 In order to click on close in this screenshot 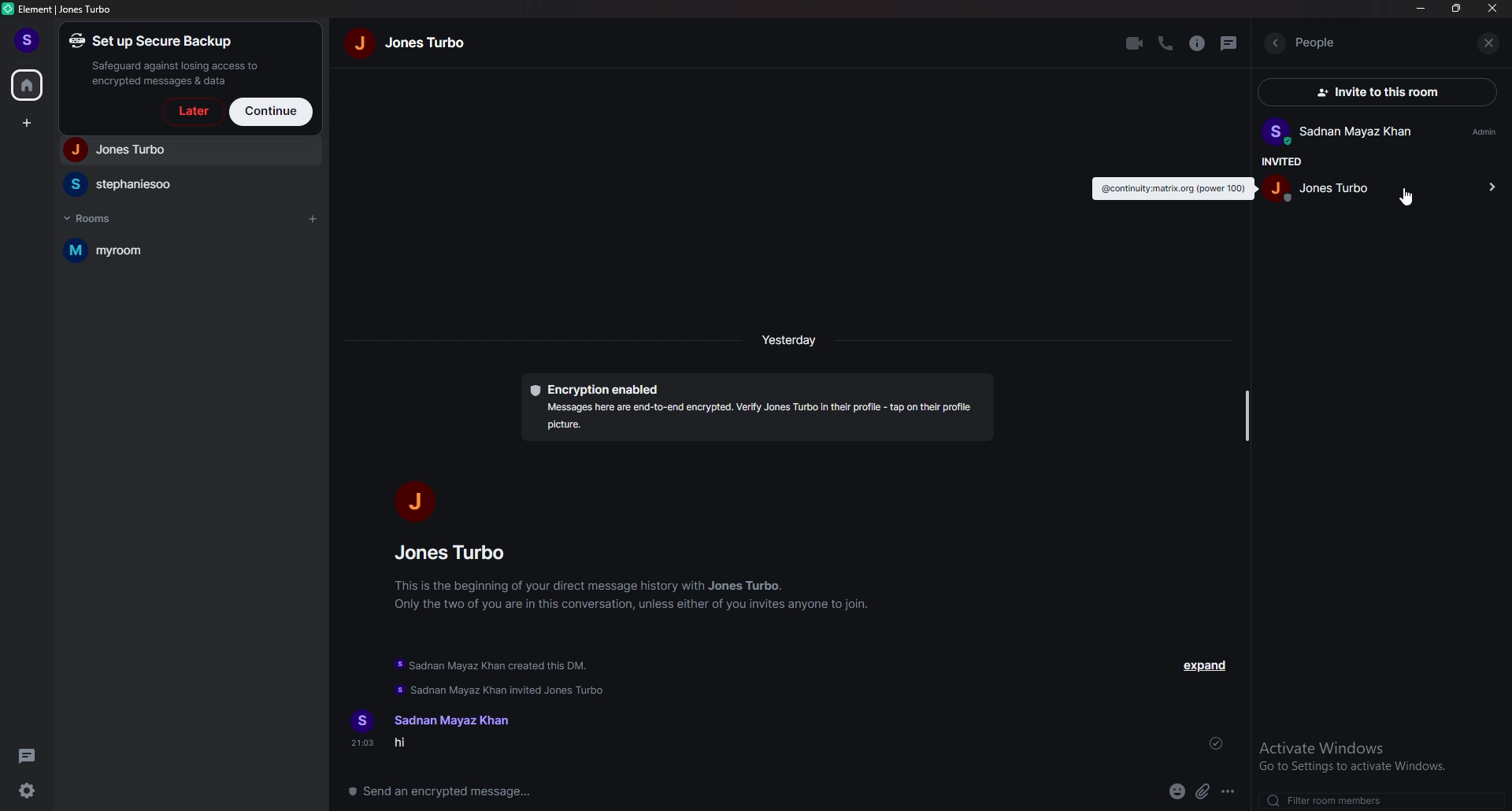, I will do `click(1493, 9)`.